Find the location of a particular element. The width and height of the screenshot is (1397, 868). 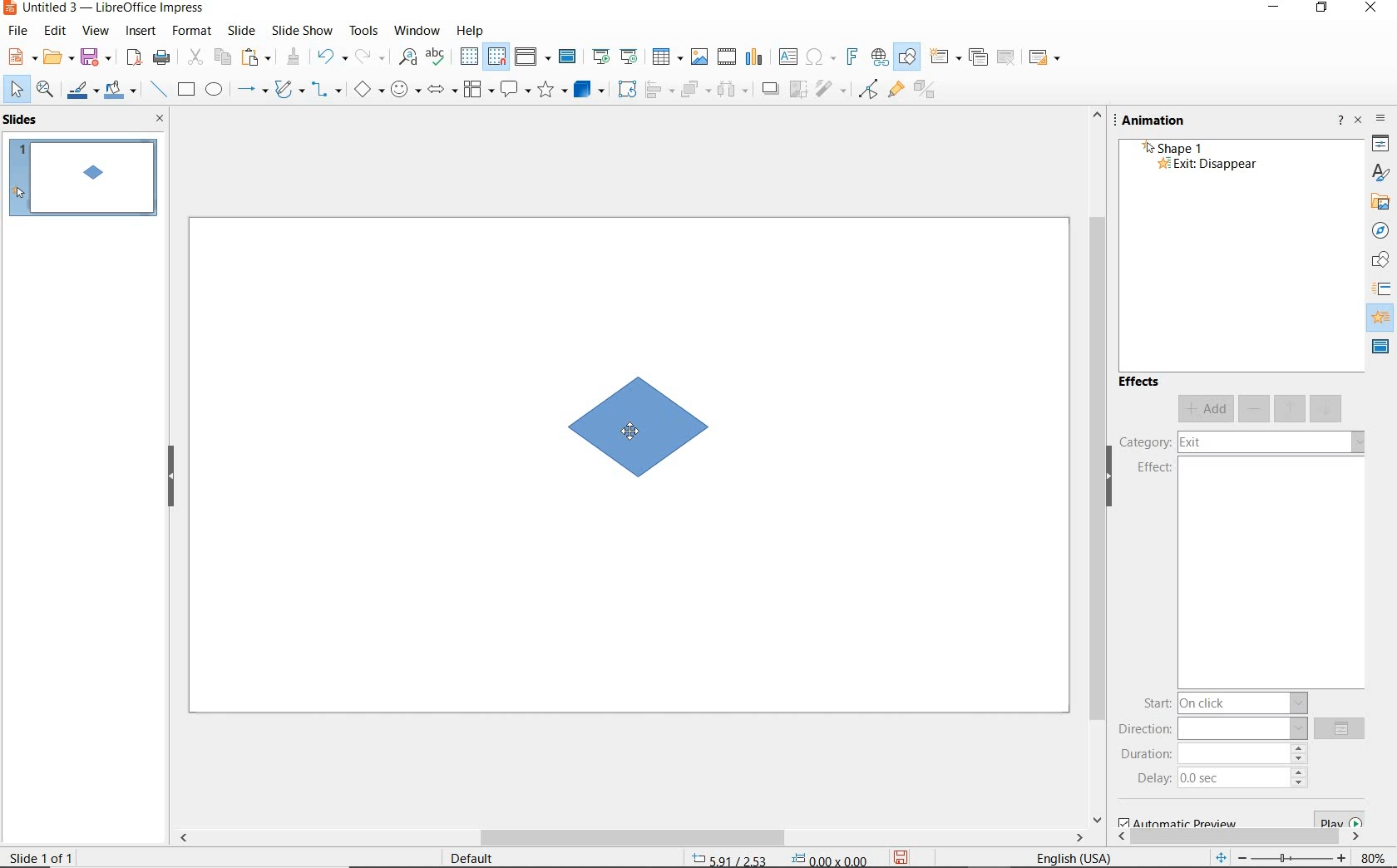

view is located at coordinates (95, 32).